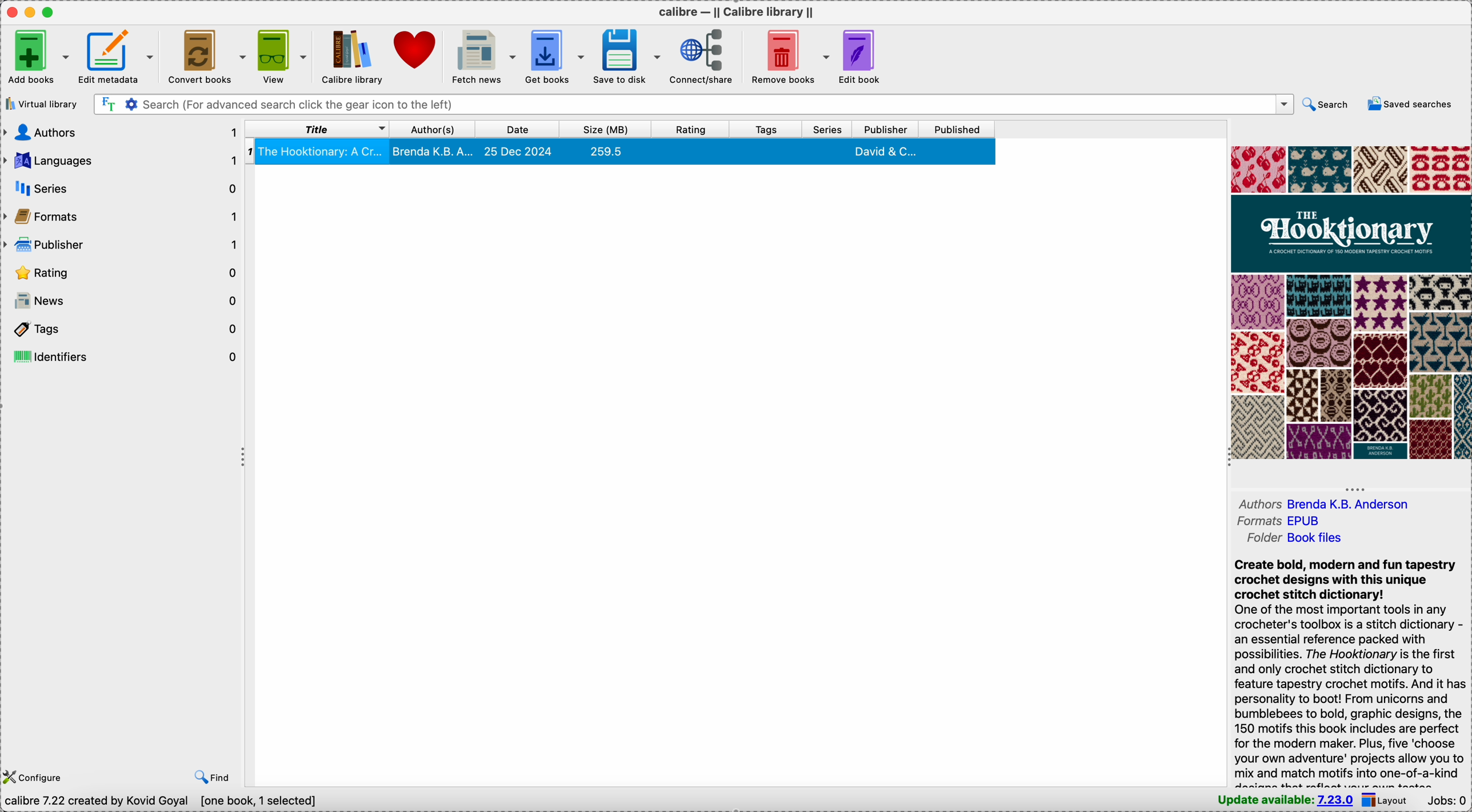  I want to click on maximize, so click(51, 12).